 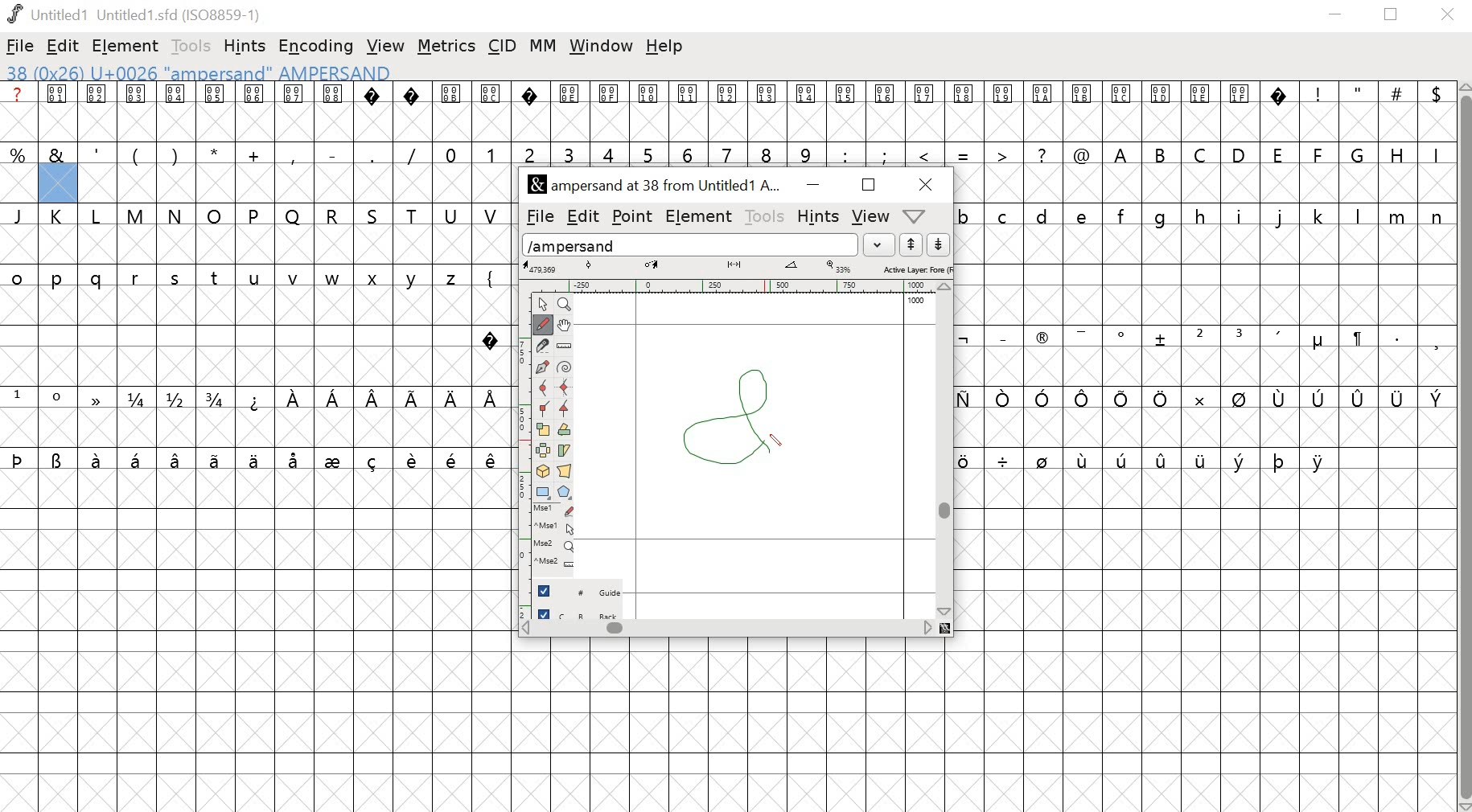 I want to click on ;, so click(x=886, y=154).